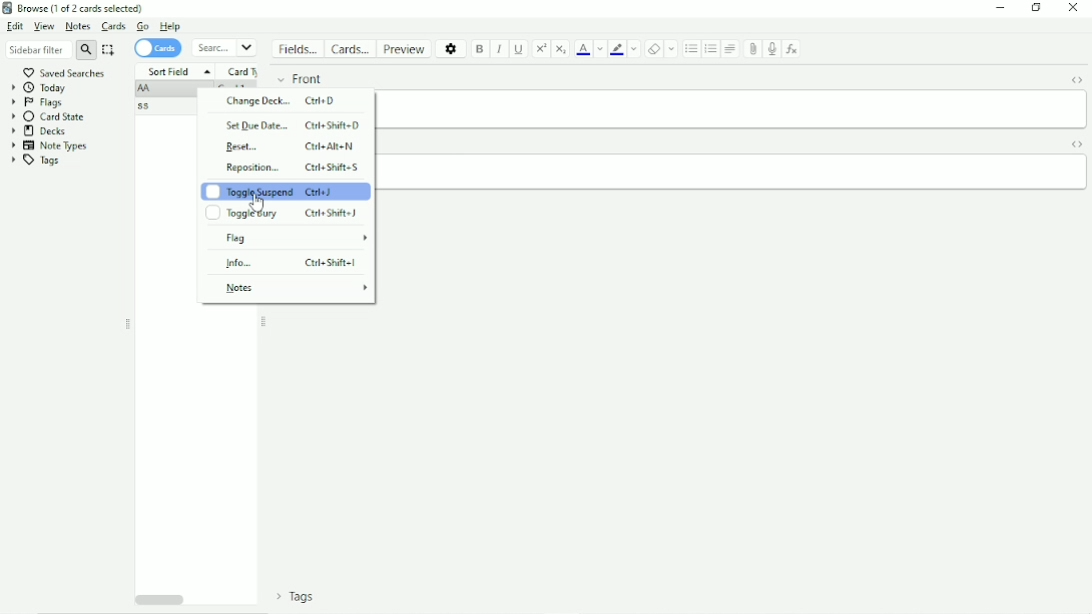  Describe the element at coordinates (584, 49) in the screenshot. I see `Text color` at that location.